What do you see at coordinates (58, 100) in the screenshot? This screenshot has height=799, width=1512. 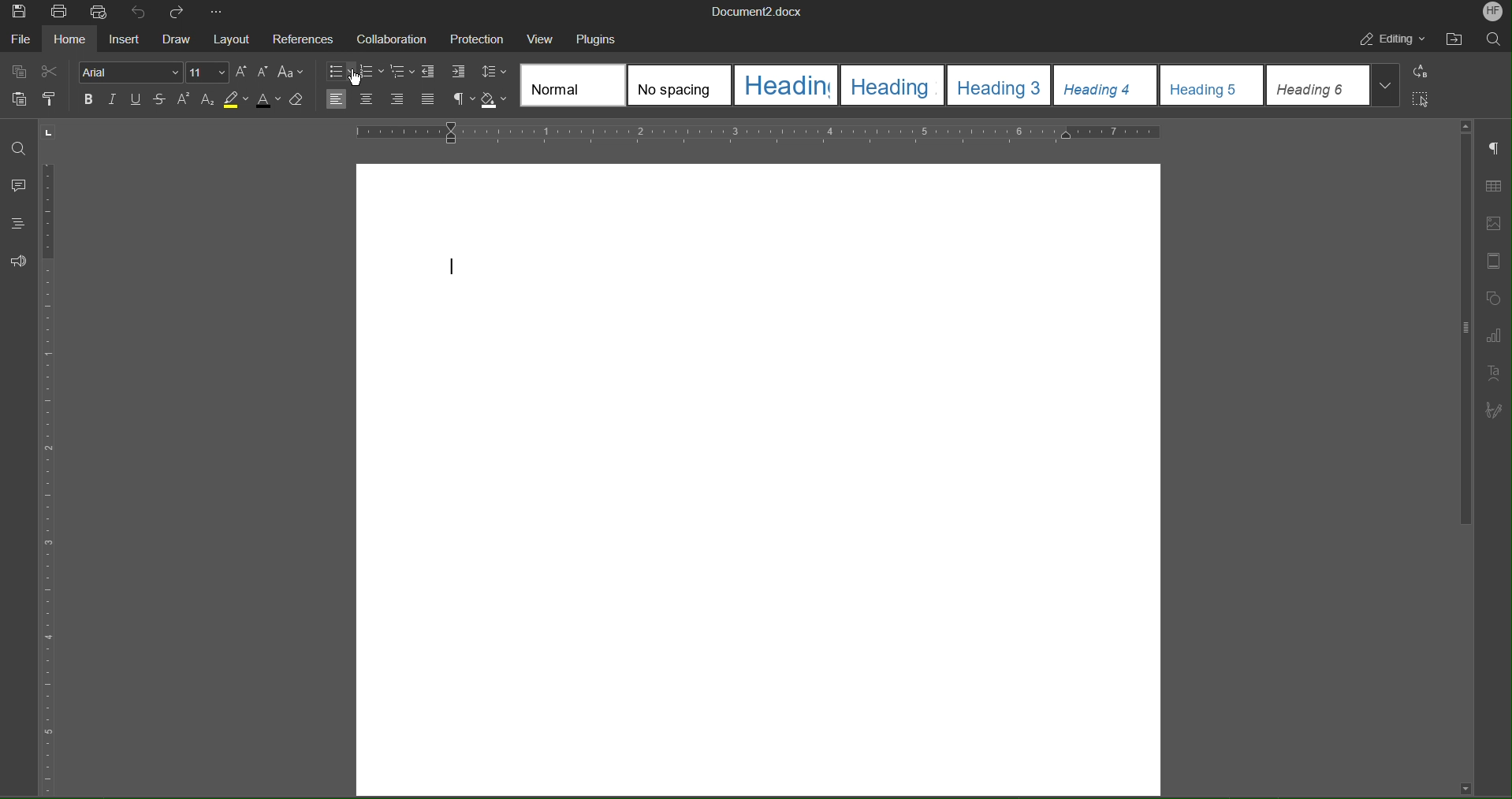 I see `Copy Style` at bounding box center [58, 100].